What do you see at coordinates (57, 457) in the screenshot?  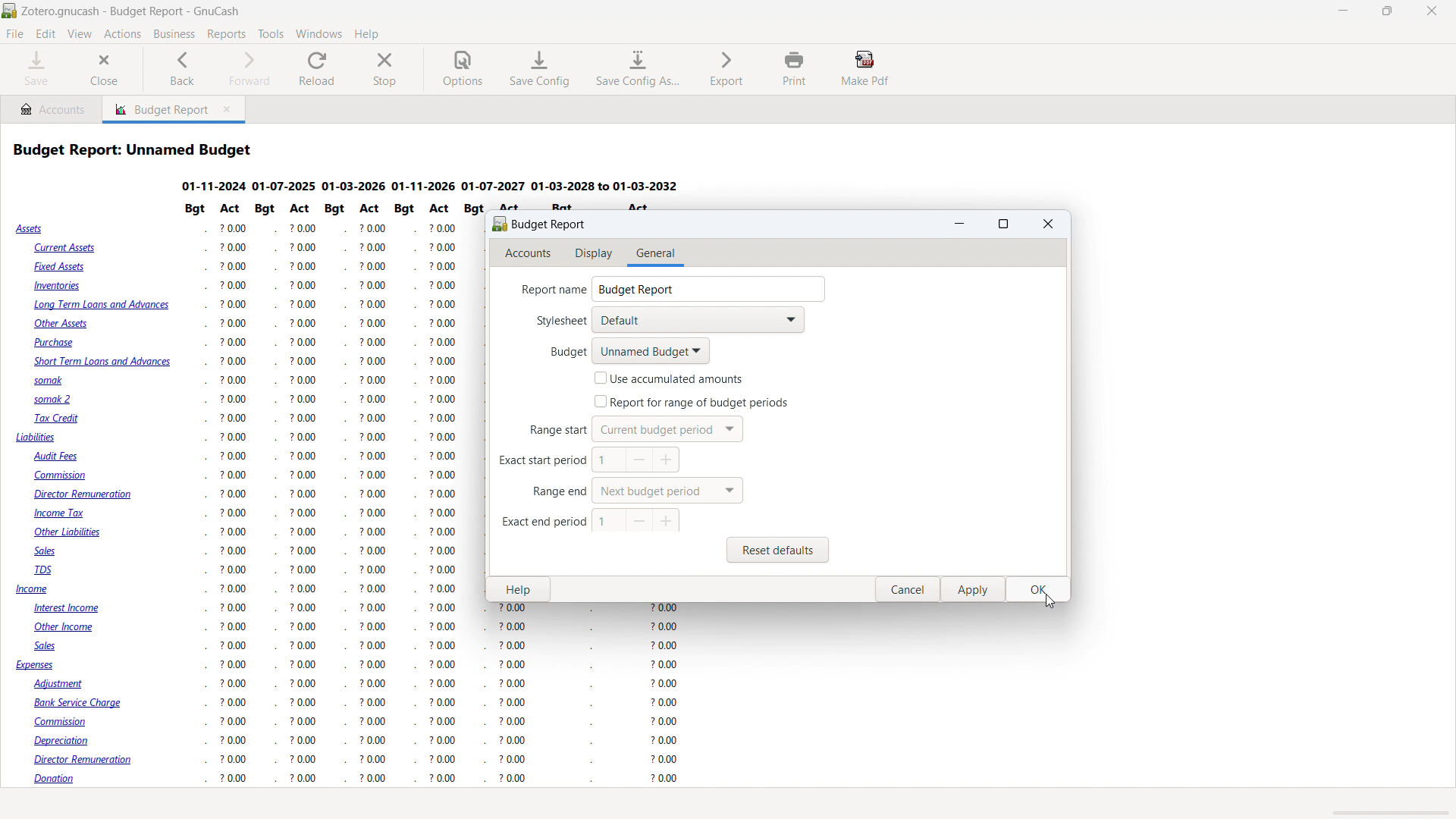 I see `Audit Fees` at bounding box center [57, 457].